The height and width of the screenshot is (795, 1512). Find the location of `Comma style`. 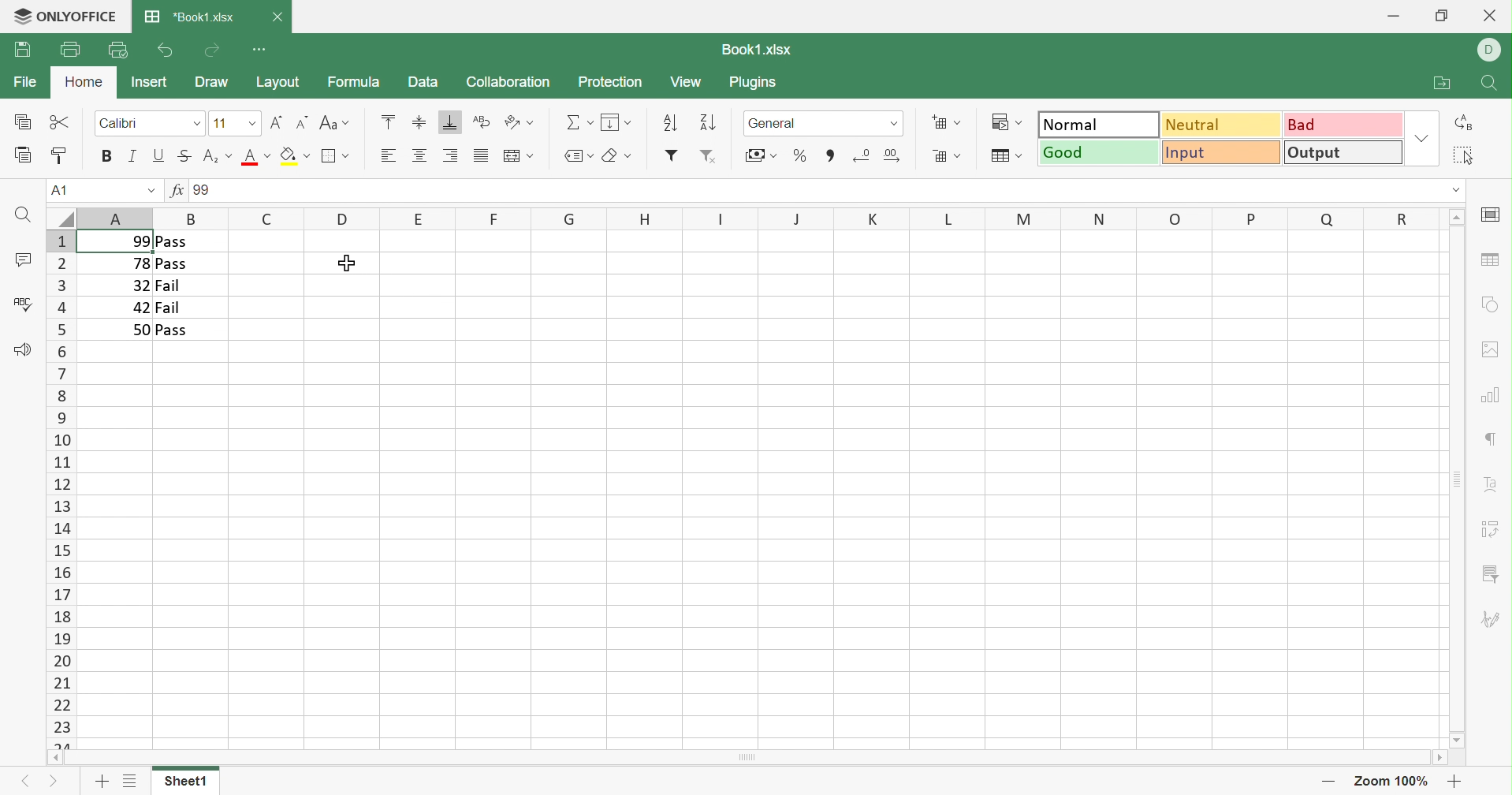

Comma style is located at coordinates (831, 154).